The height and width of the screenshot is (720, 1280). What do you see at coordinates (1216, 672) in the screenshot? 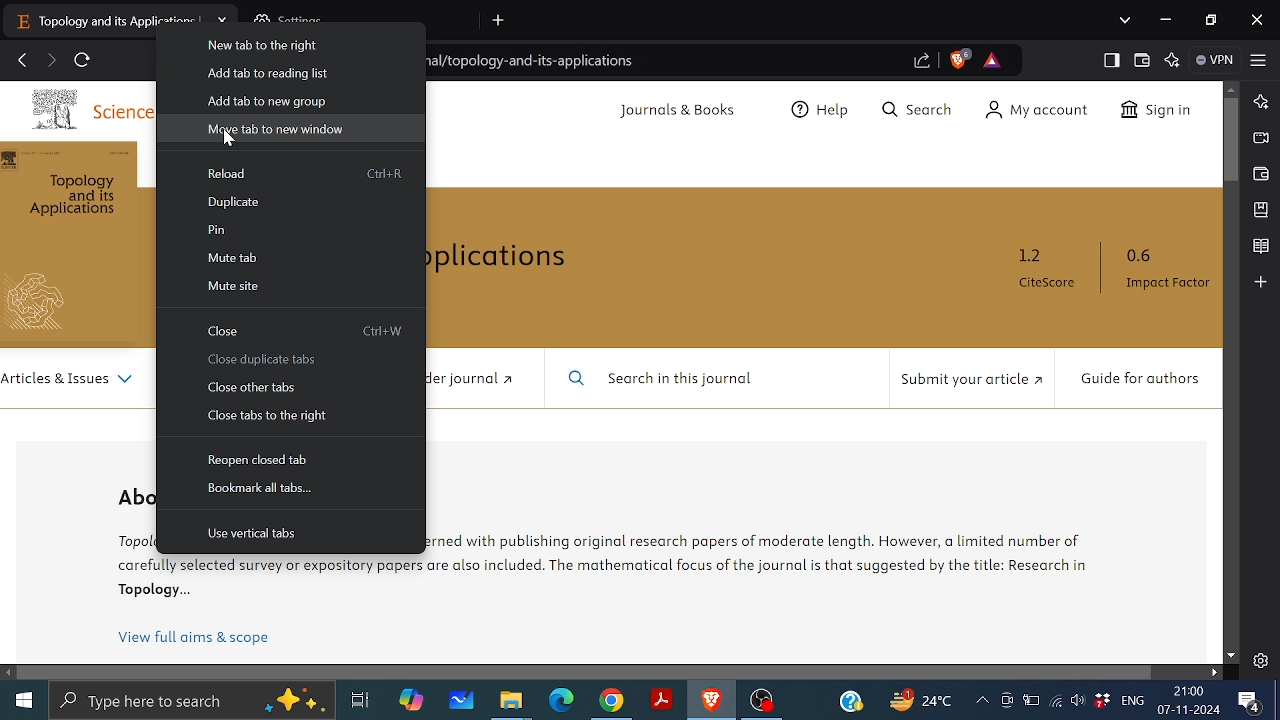
I see `Move right` at bounding box center [1216, 672].